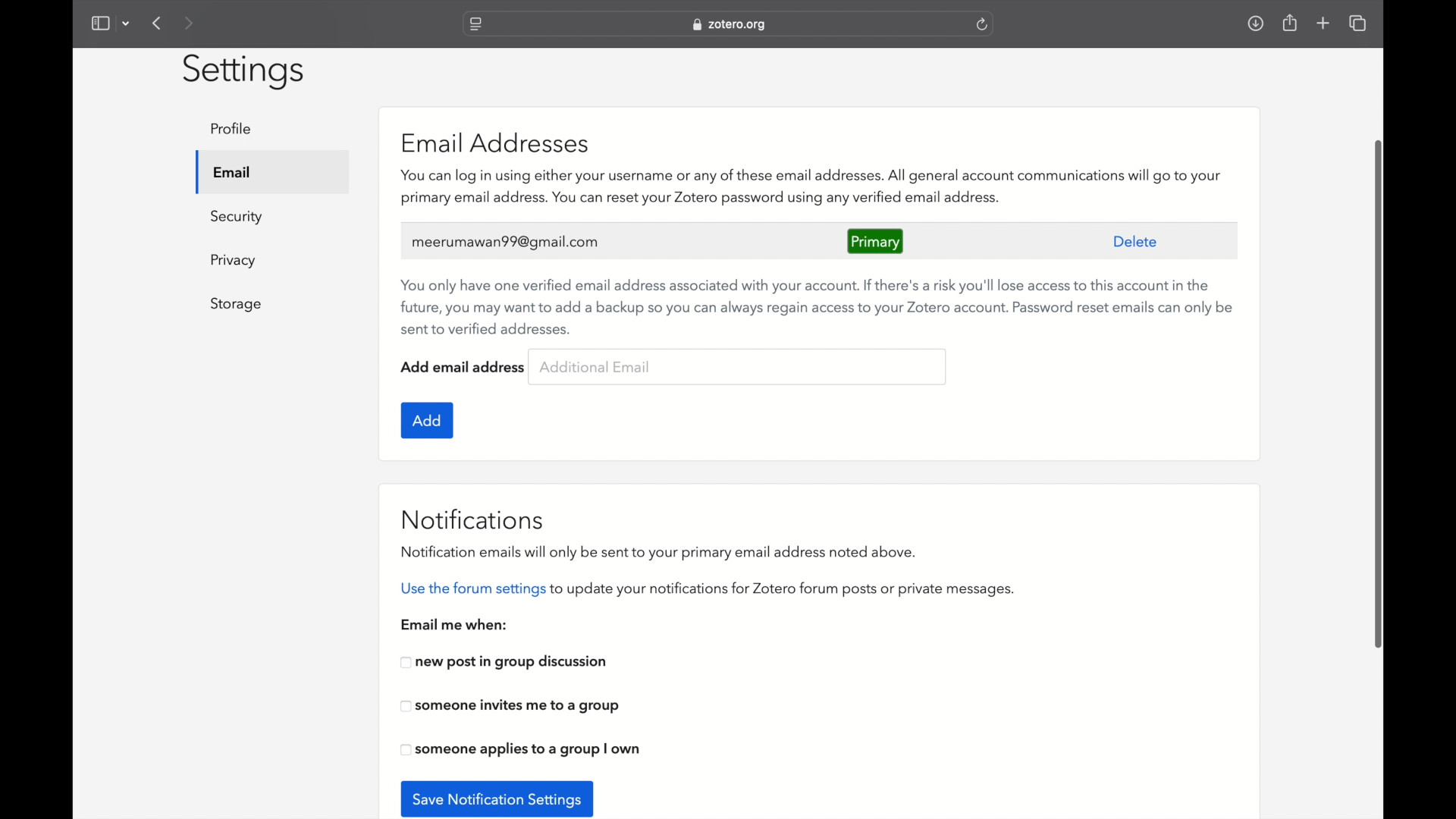  I want to click on save notification settings, so click(497, 798).